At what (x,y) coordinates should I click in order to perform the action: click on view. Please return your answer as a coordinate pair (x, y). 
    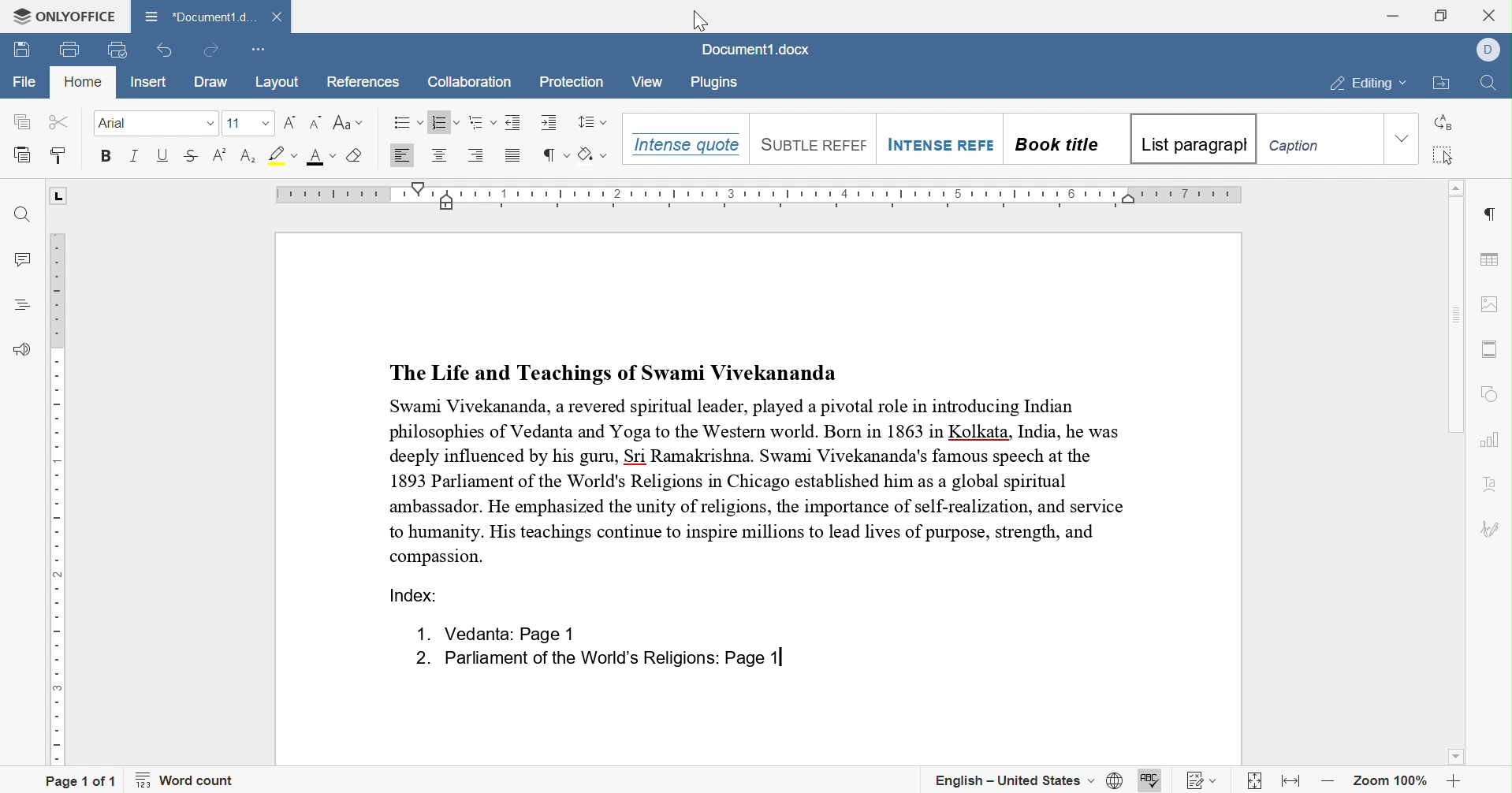
    Looking at the image, I should click on (646, 84).